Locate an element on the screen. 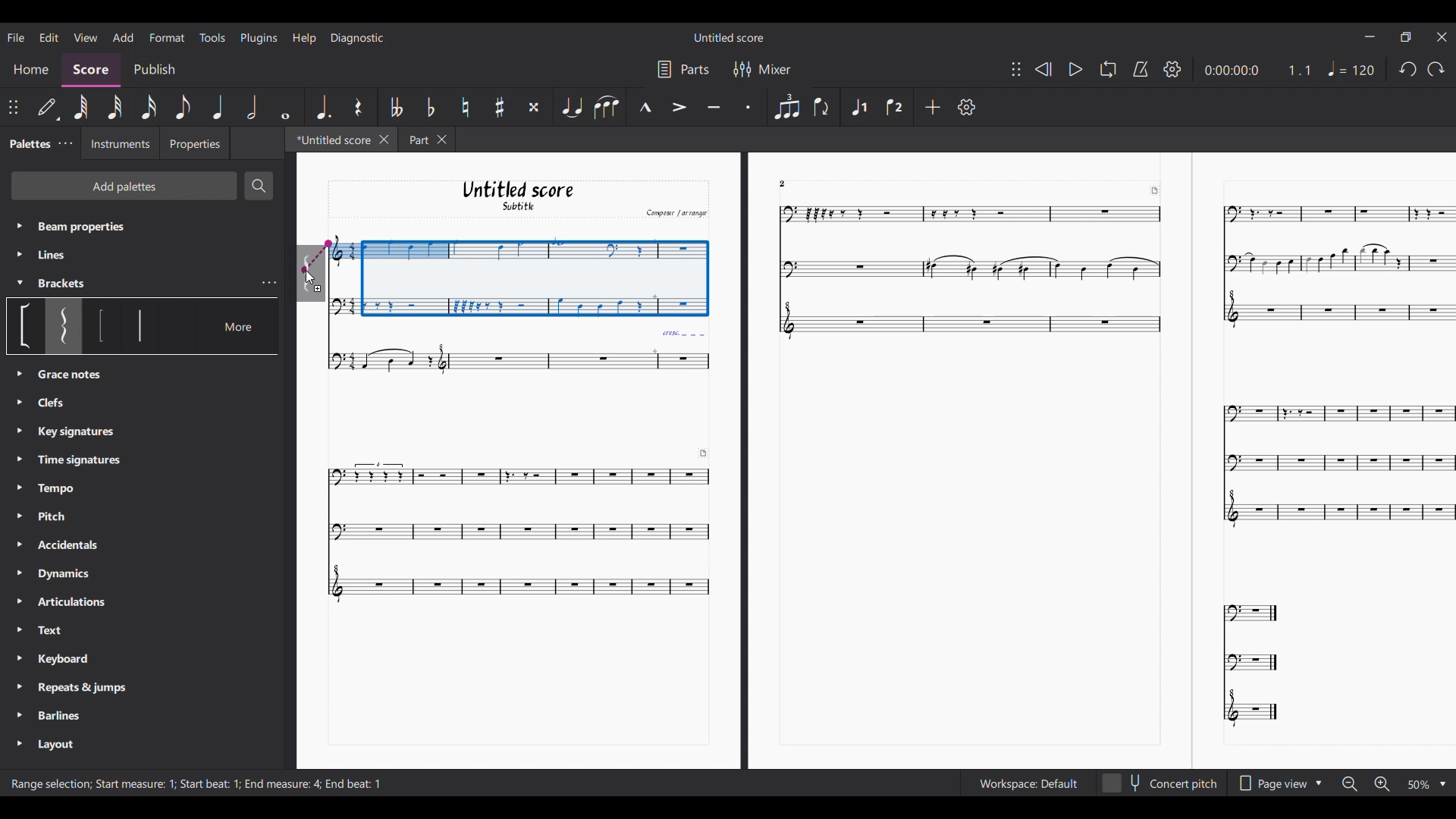 Image resolution: width=1456 pixels, height=819 pixels. Tools is located at coordinates (212, 37).